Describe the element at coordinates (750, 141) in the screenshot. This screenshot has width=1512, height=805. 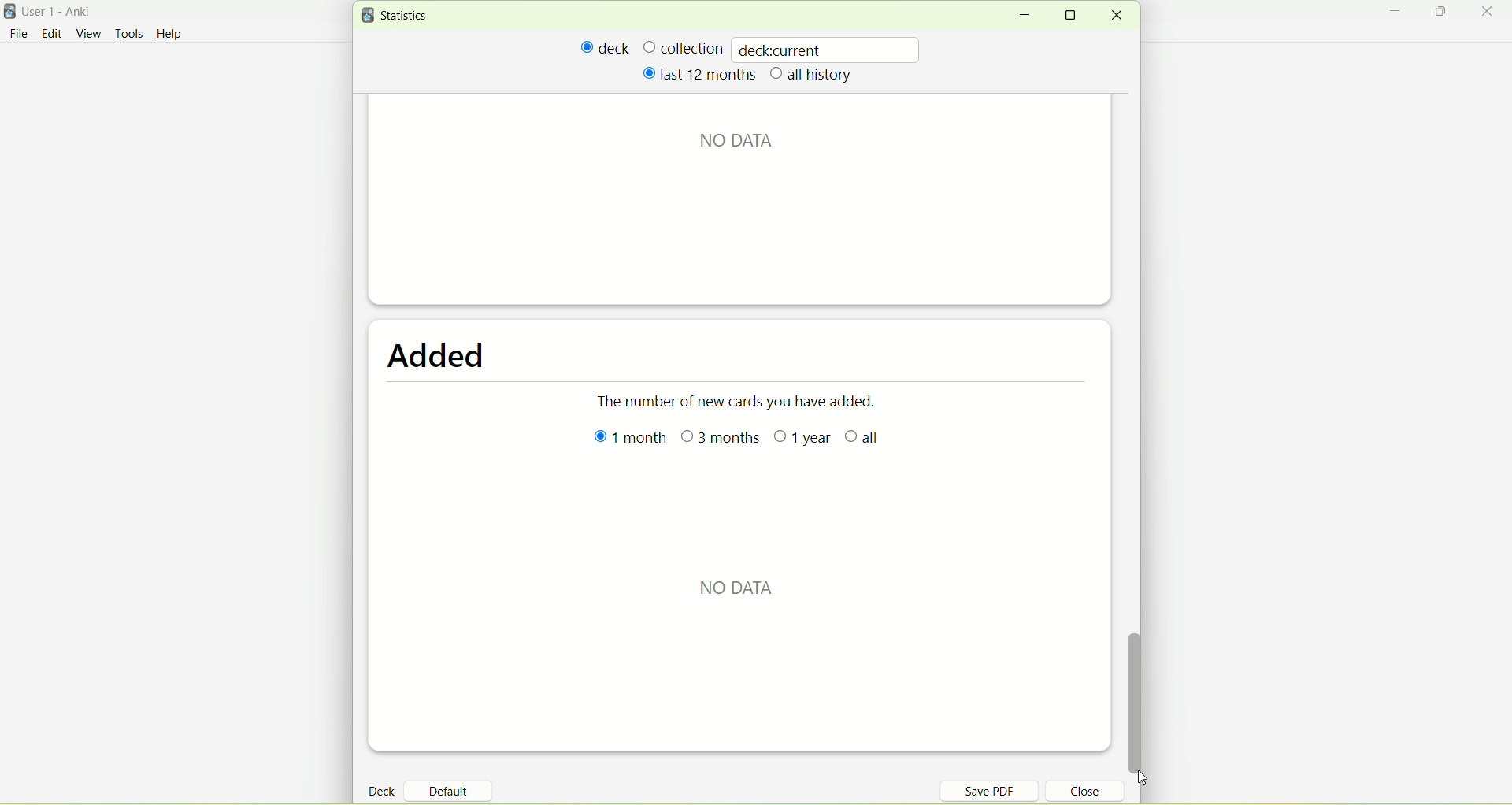
I see `text` at that location.